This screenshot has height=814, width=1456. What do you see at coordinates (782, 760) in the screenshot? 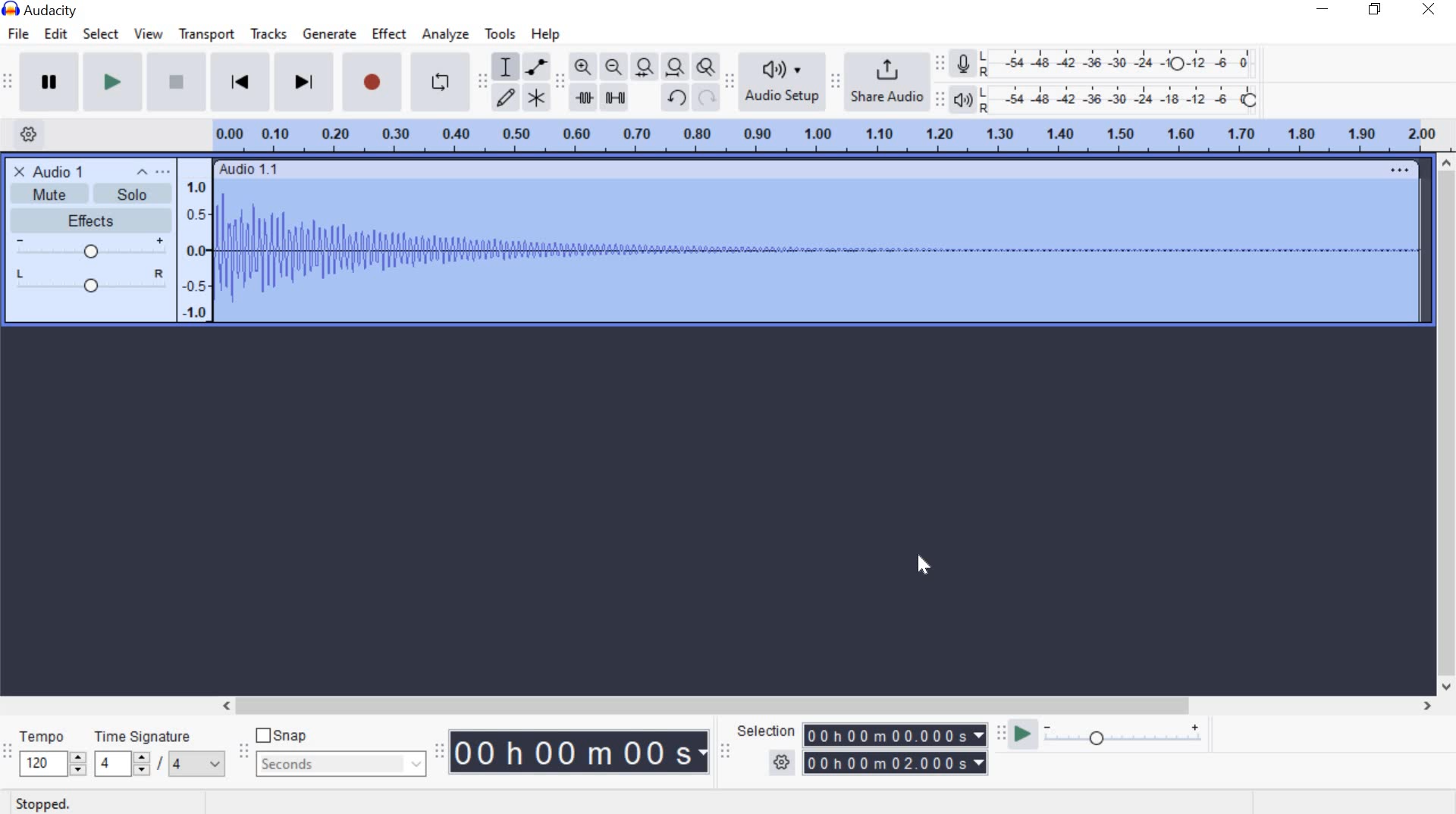
I see `selection option` at bounding box center [782, 760].